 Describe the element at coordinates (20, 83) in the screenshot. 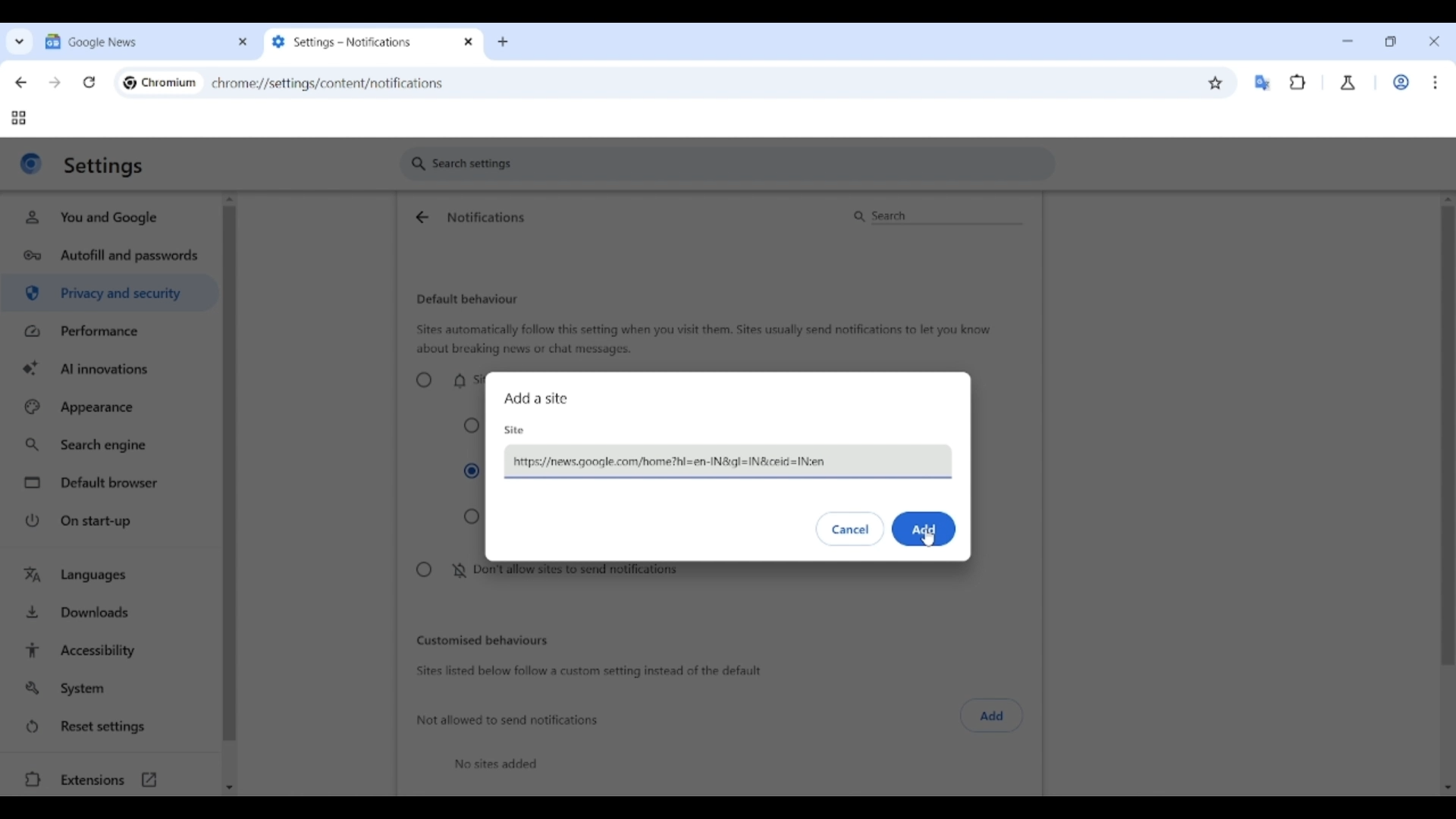

I see `Go back` at that location.